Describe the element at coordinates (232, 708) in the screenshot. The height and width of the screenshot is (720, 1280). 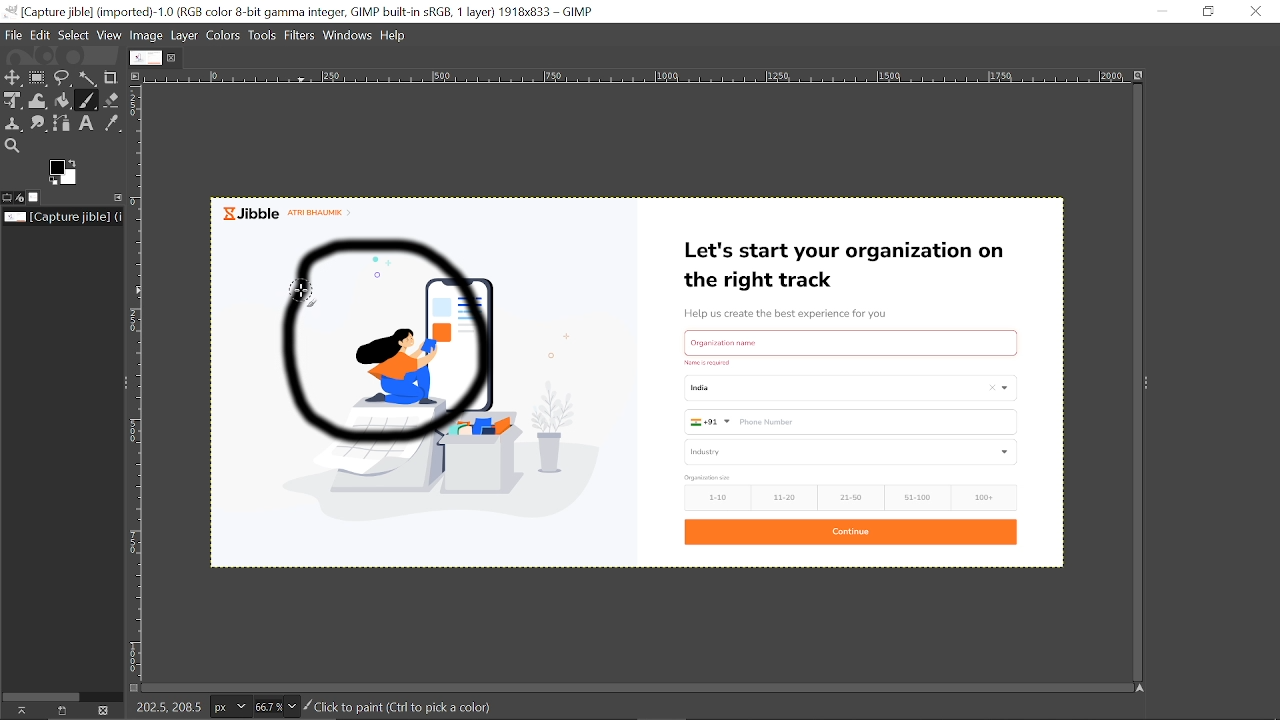
I see `Pixel` at that location.